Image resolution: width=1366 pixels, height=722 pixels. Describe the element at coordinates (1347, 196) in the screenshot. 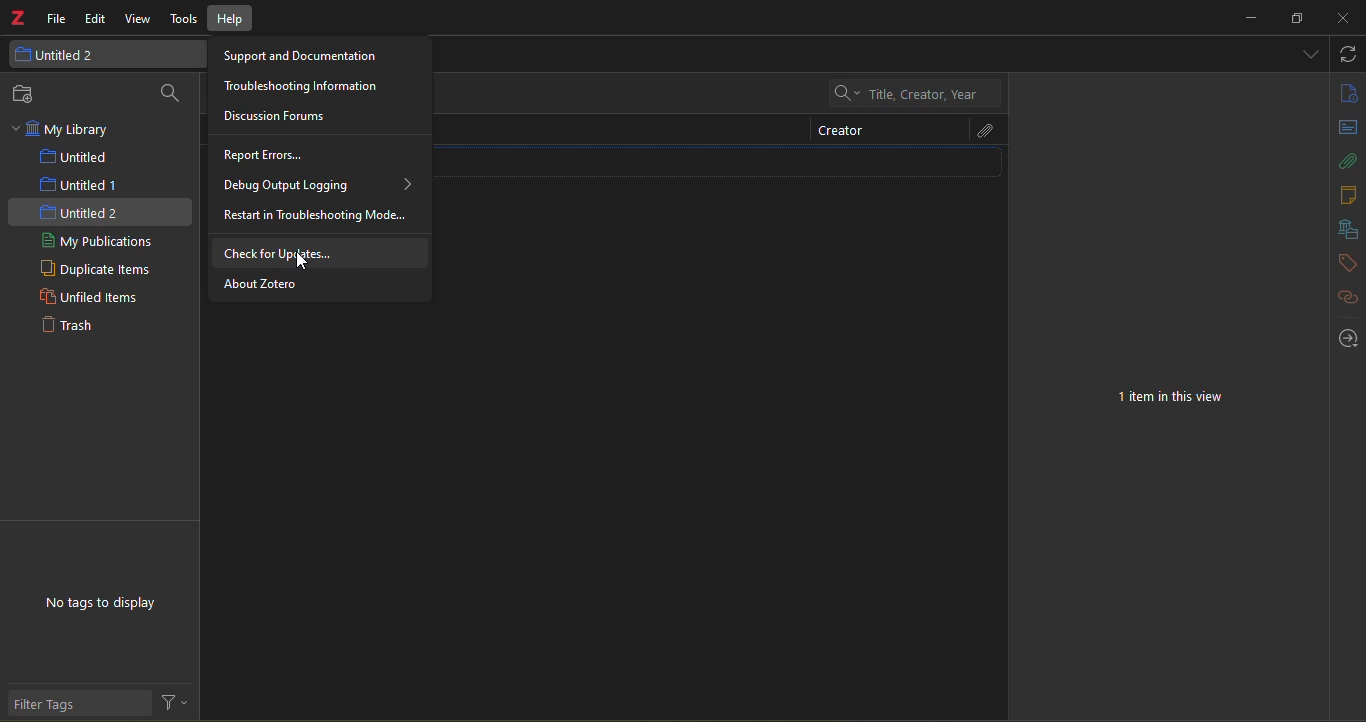

I see `notes` at that location.